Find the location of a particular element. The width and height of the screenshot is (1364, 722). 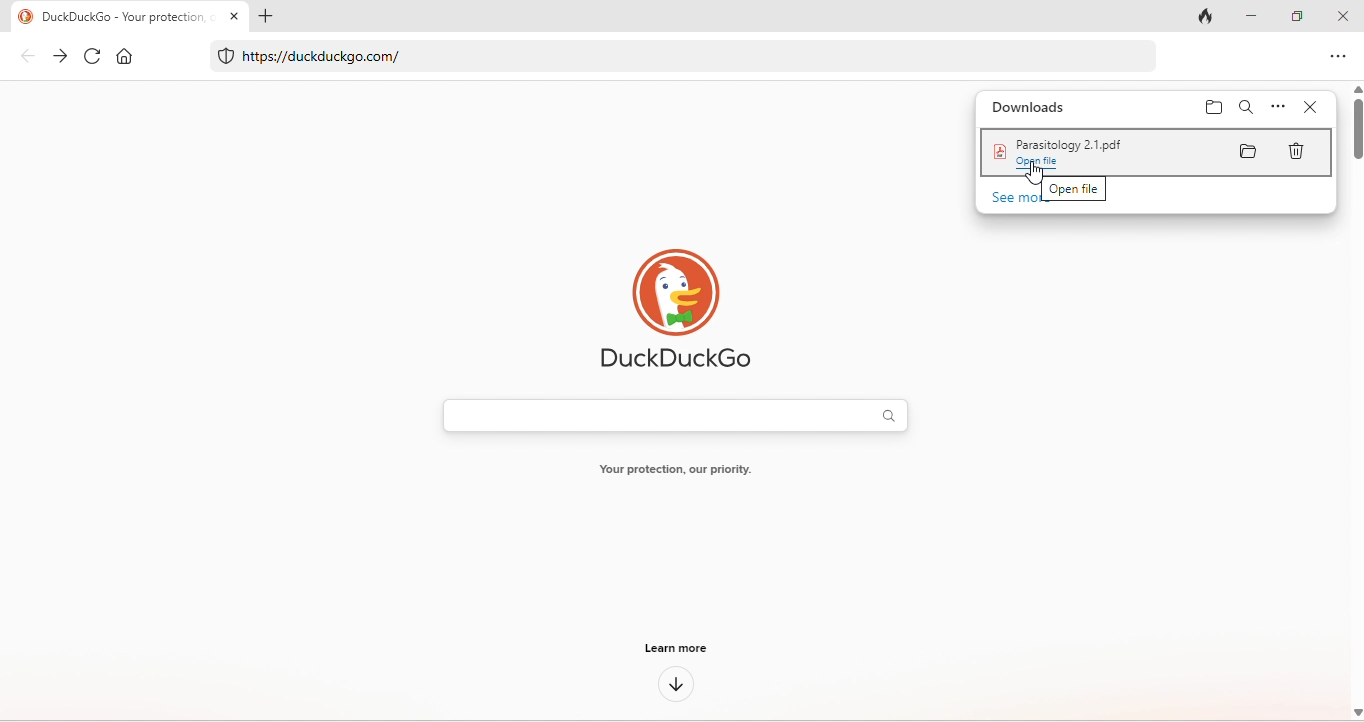

open file is located at coordinates (1080, 192).